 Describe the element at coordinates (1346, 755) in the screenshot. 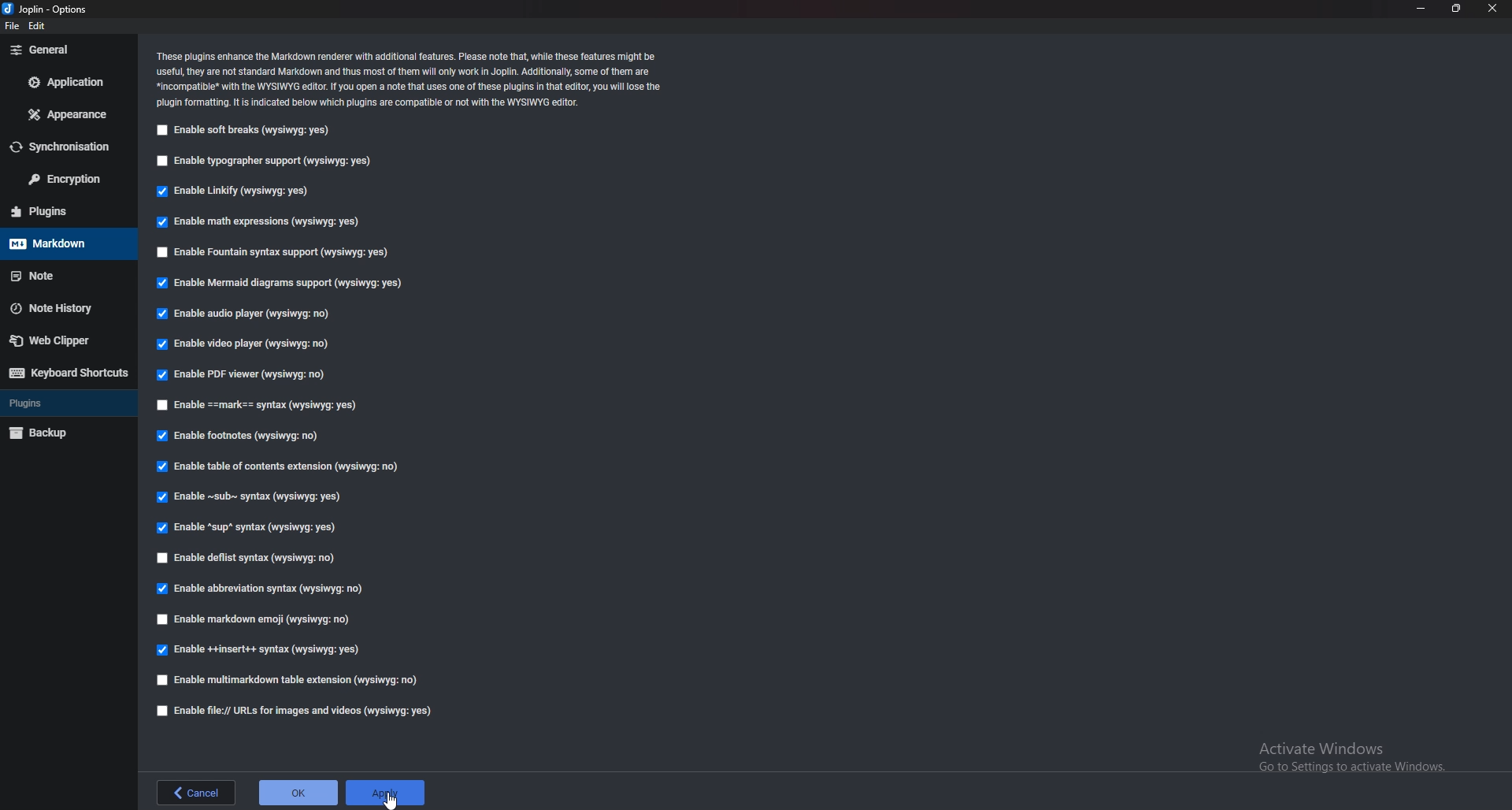

I see `Activate Windows
Go to Settings to activate Windows.` at that location.